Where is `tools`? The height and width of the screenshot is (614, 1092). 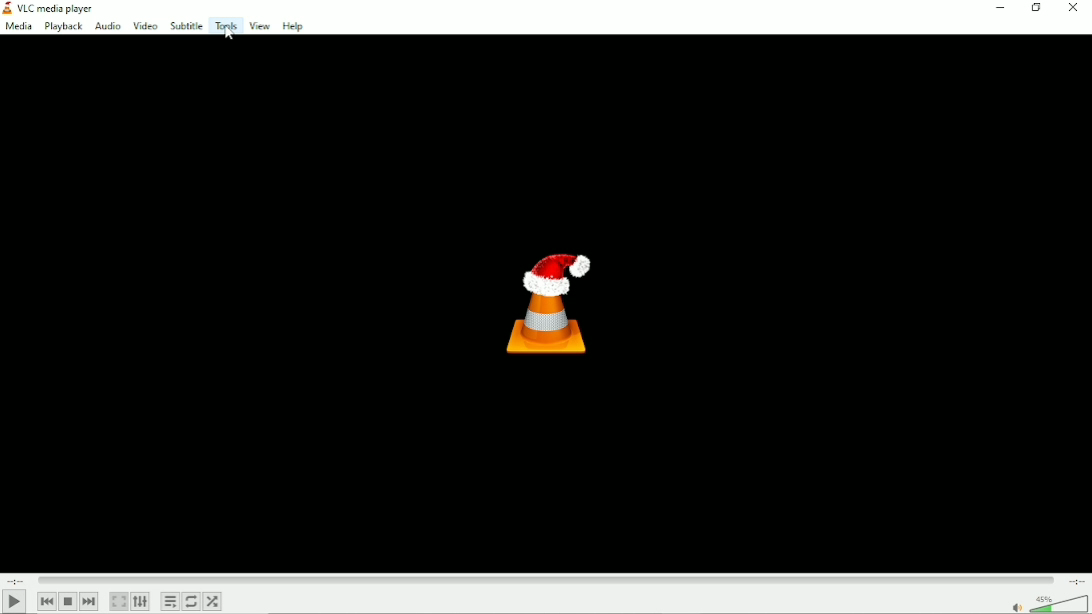 tools is located at coordinates (224, 27).